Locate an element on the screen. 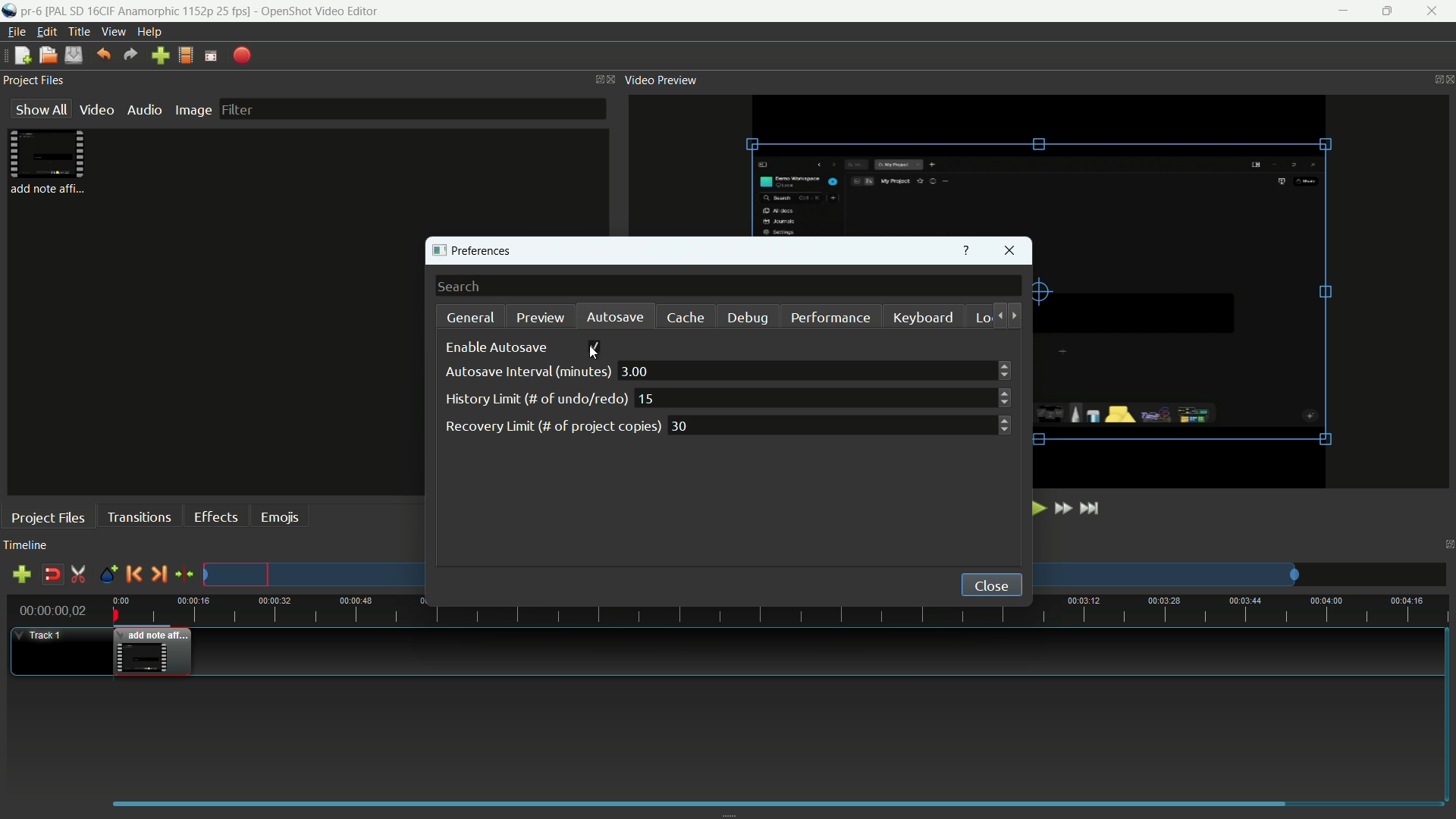 The height and width of the screenshot is (819, 1456). next marker is located at coordinates (160, 573).